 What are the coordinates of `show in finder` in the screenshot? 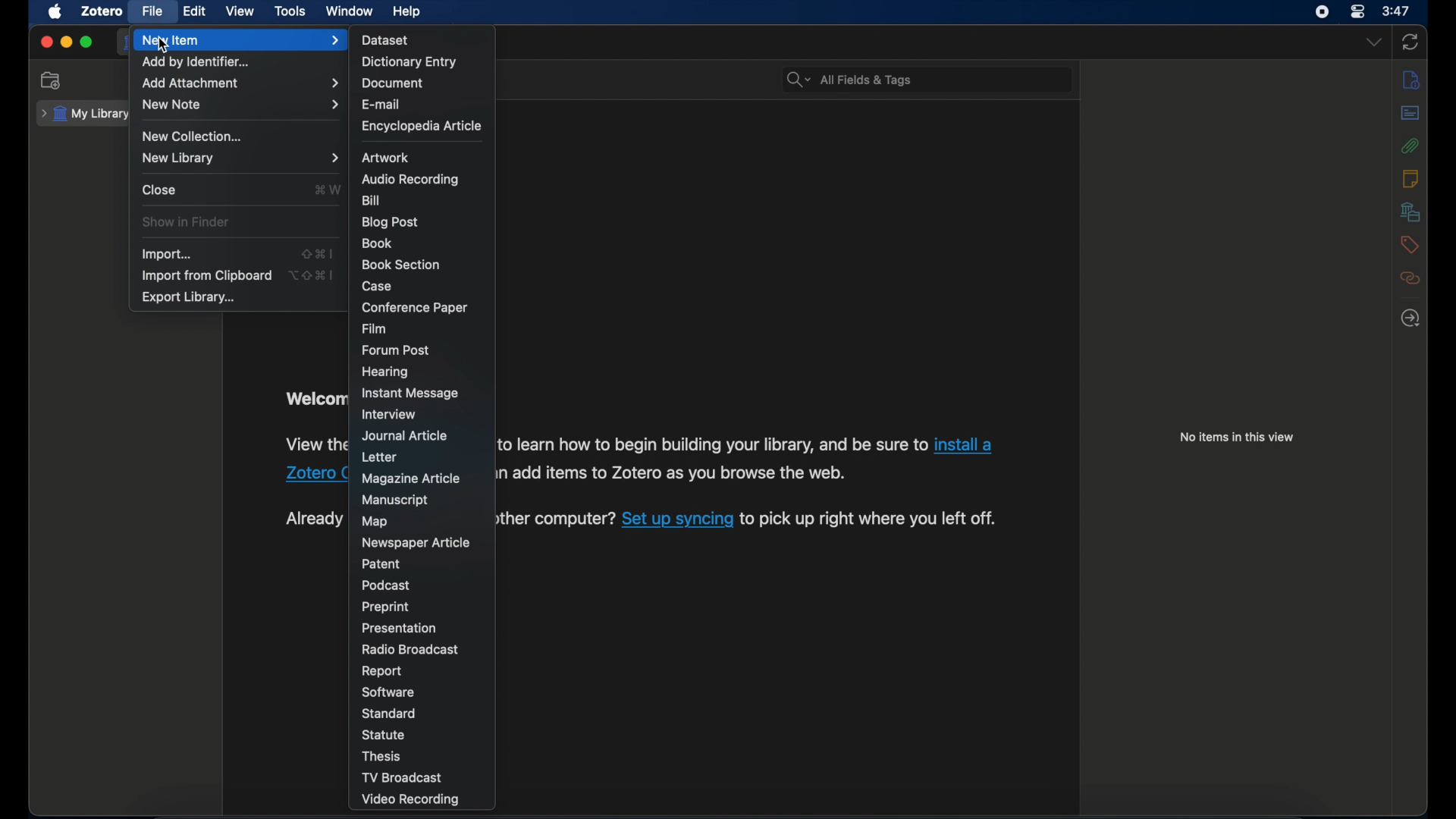 It's located at (188, 222).